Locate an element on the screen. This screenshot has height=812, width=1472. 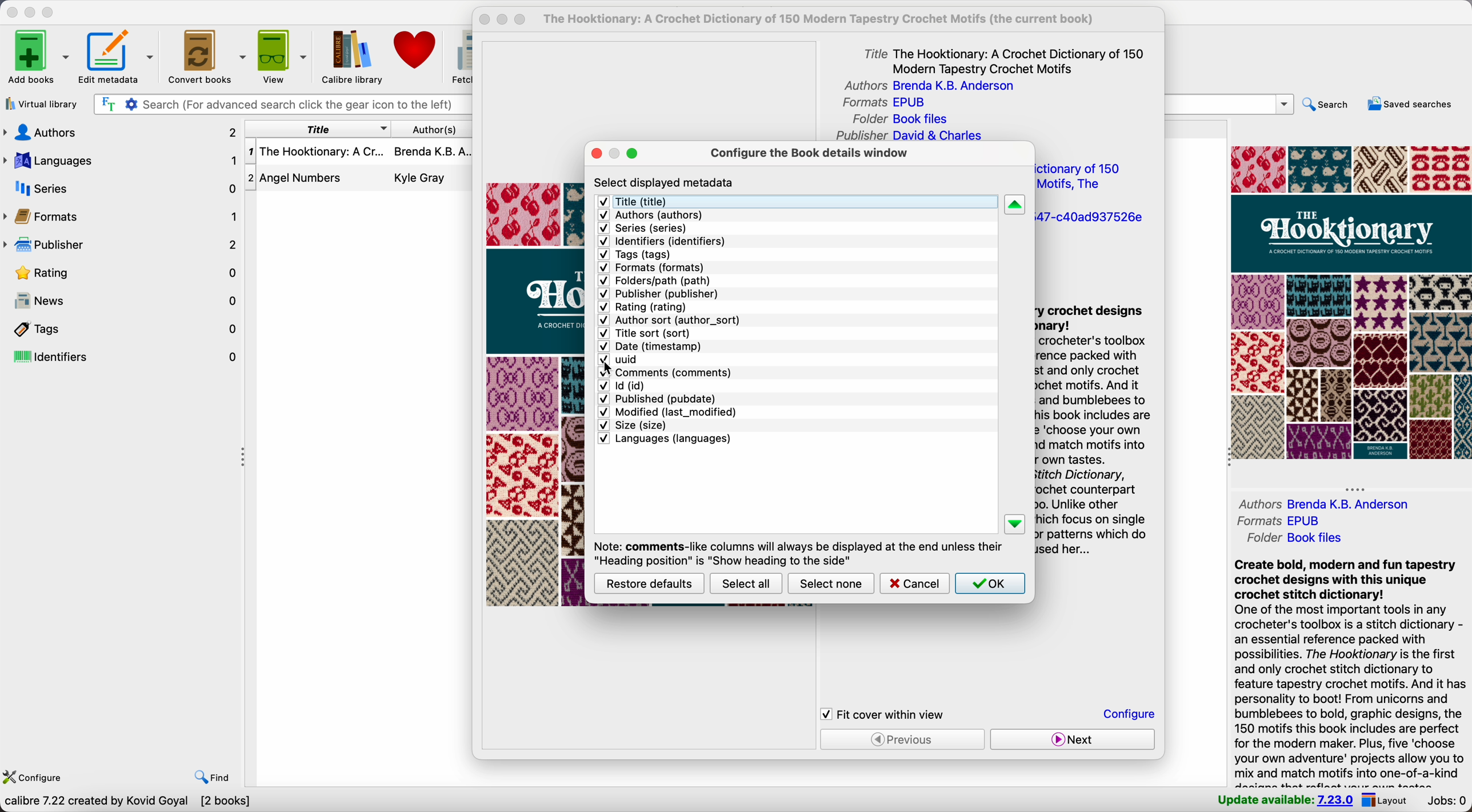
cursor is located at coordinates (610, 370).